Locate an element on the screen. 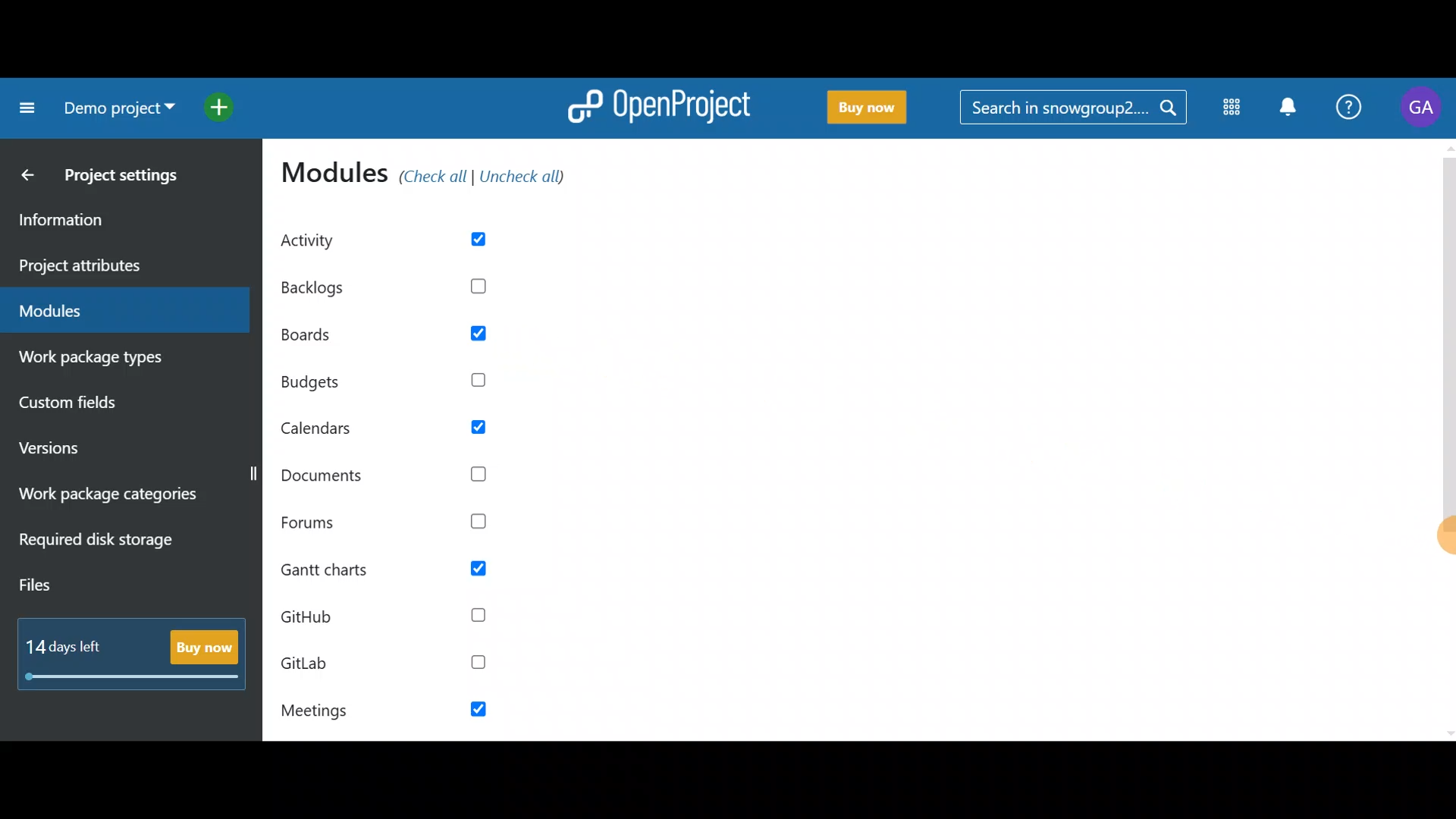 The image size is (1456, 819). Budgets is located at coordinates (390, 384).